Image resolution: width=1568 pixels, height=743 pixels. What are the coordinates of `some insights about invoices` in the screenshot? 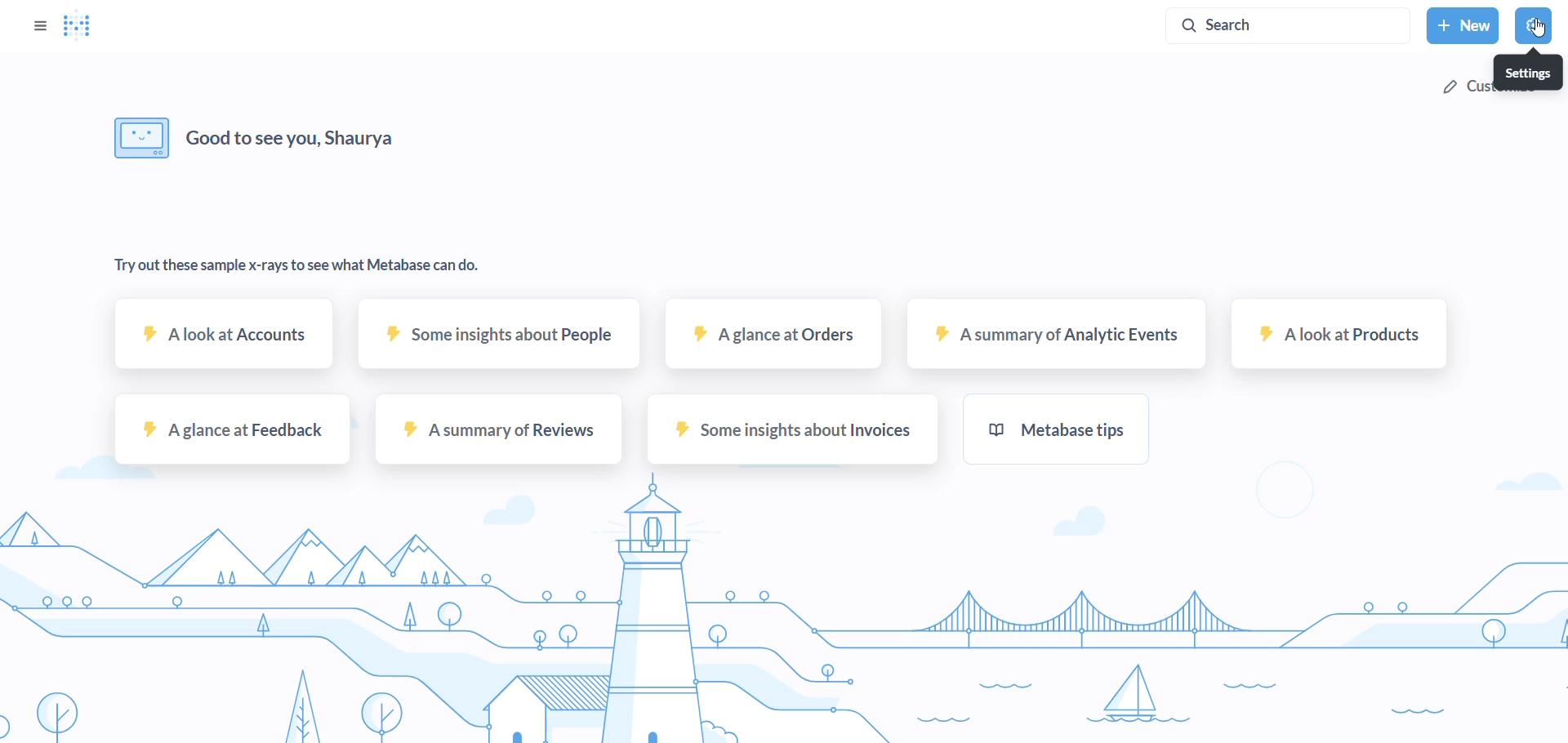 It's located at (782, 434).